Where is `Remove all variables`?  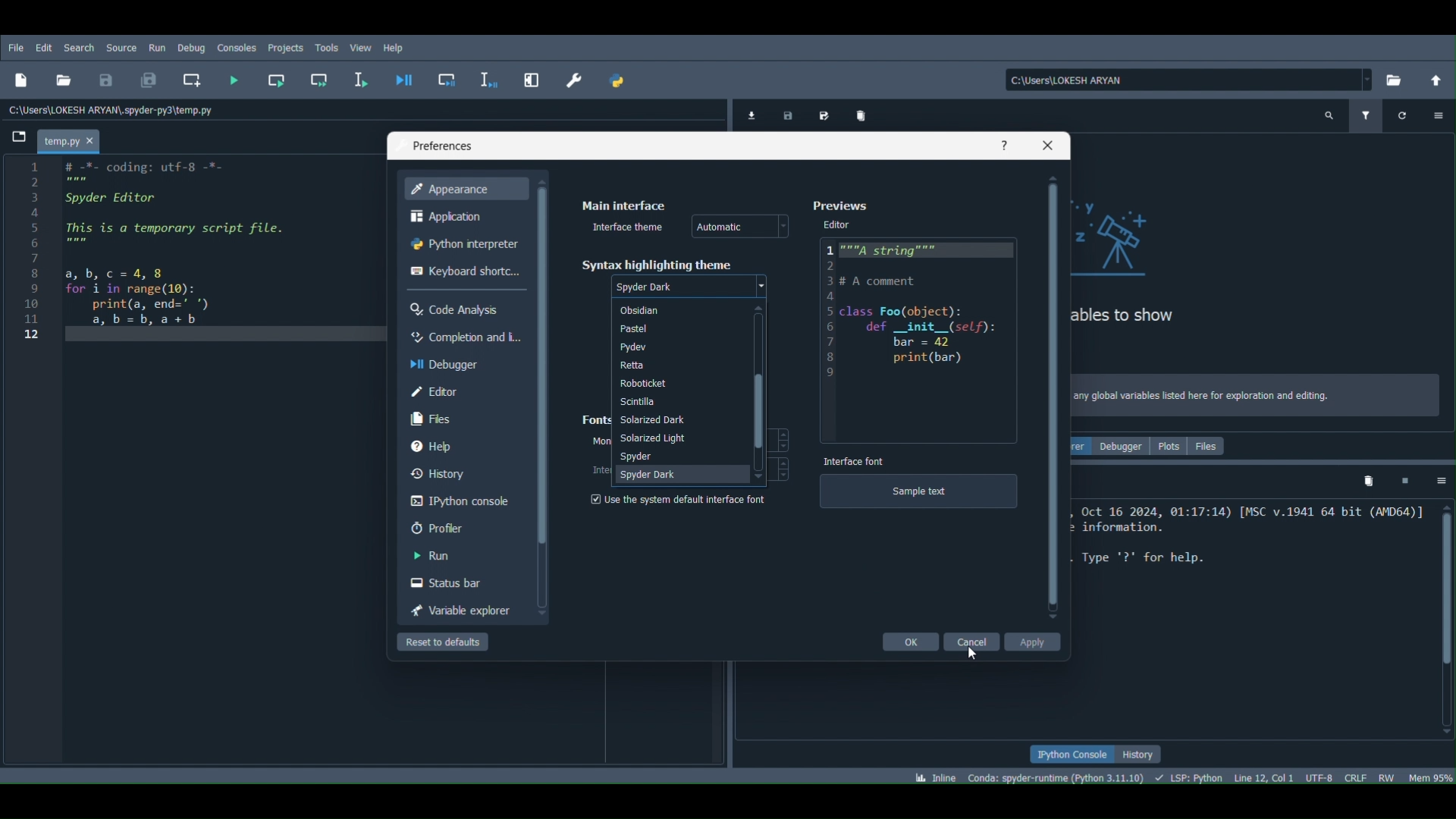 Remove all variables is located at coordinates (871, 116).